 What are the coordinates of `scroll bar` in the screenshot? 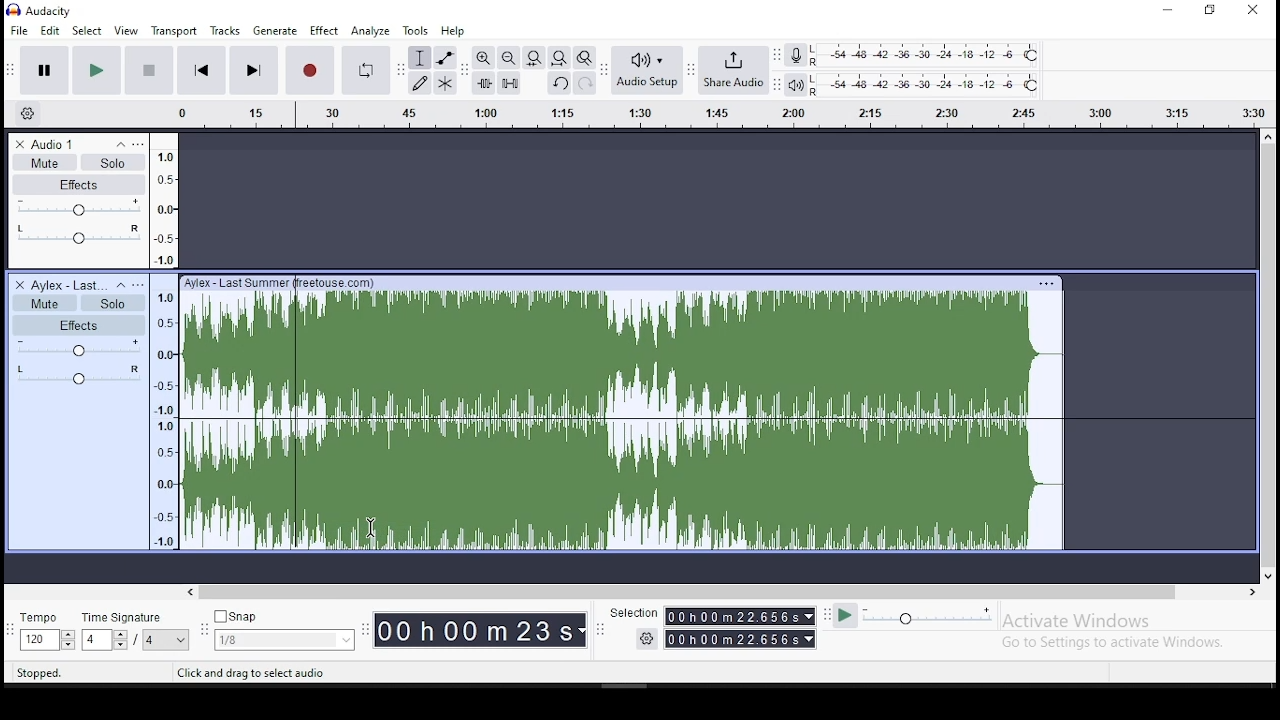 It's located at (723, 591).